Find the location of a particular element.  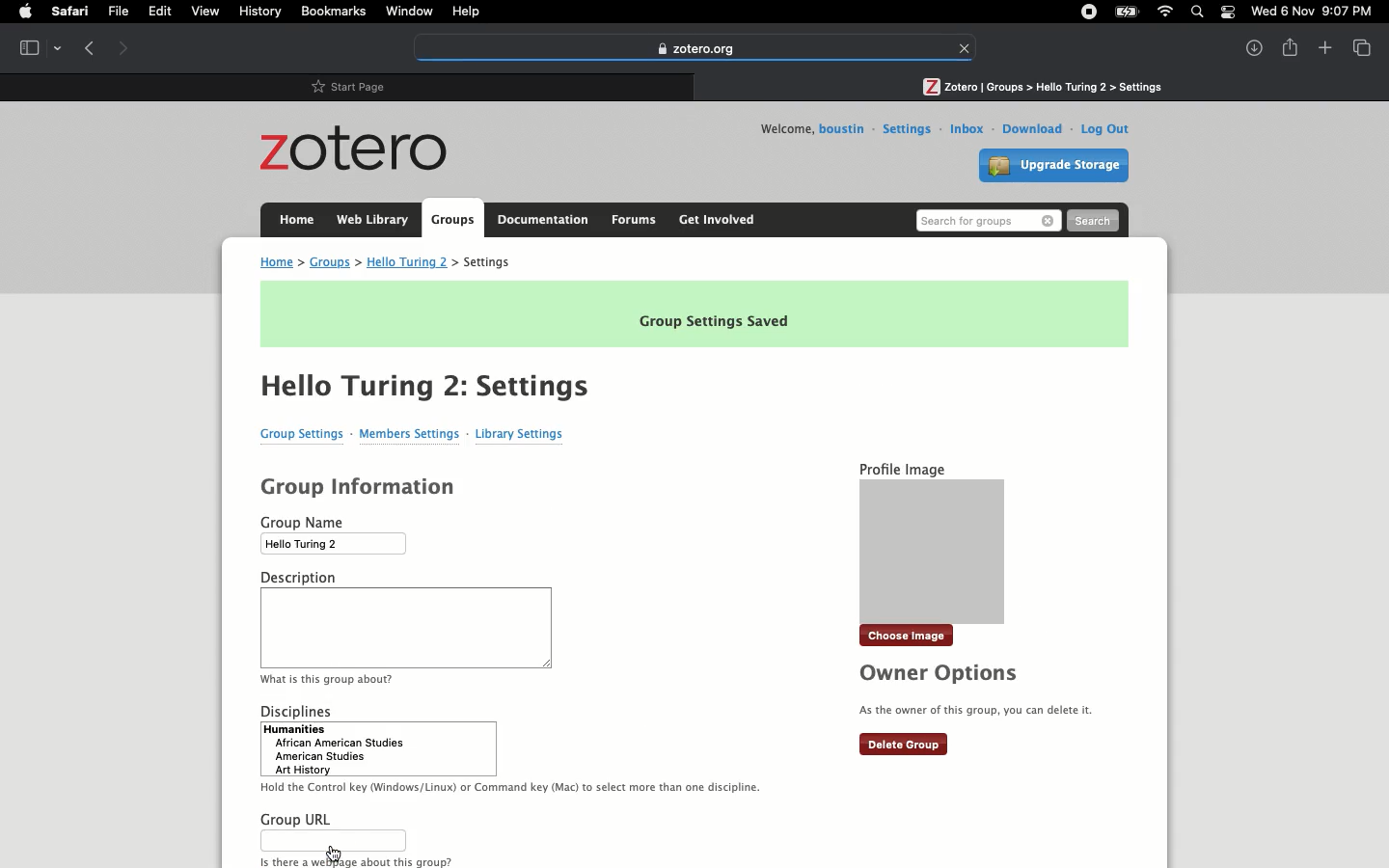

Members settings is located at coordinates (412, 434).